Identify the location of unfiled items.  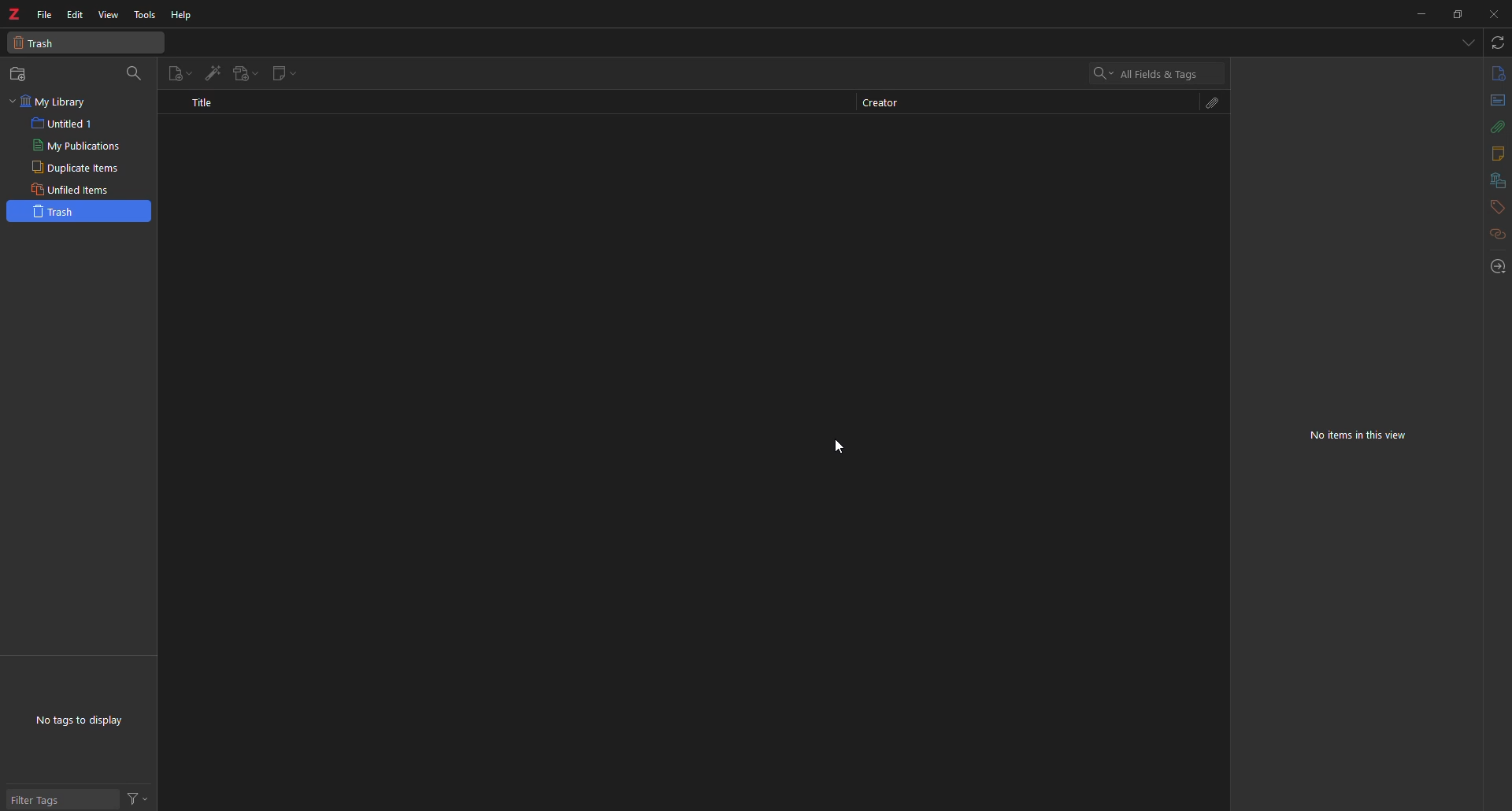
(73, 189).